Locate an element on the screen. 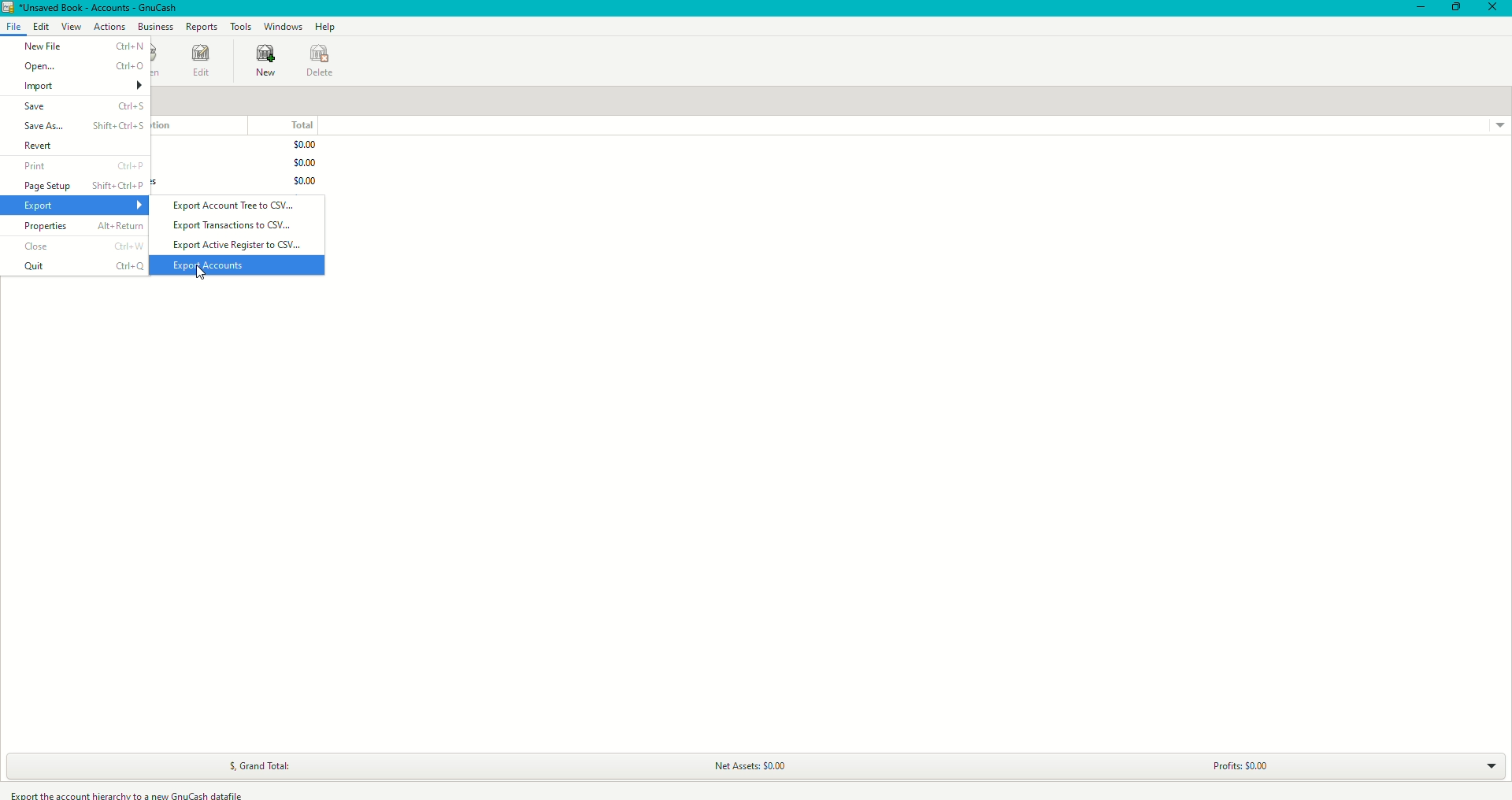  Save is located at coordinates (84, 107).